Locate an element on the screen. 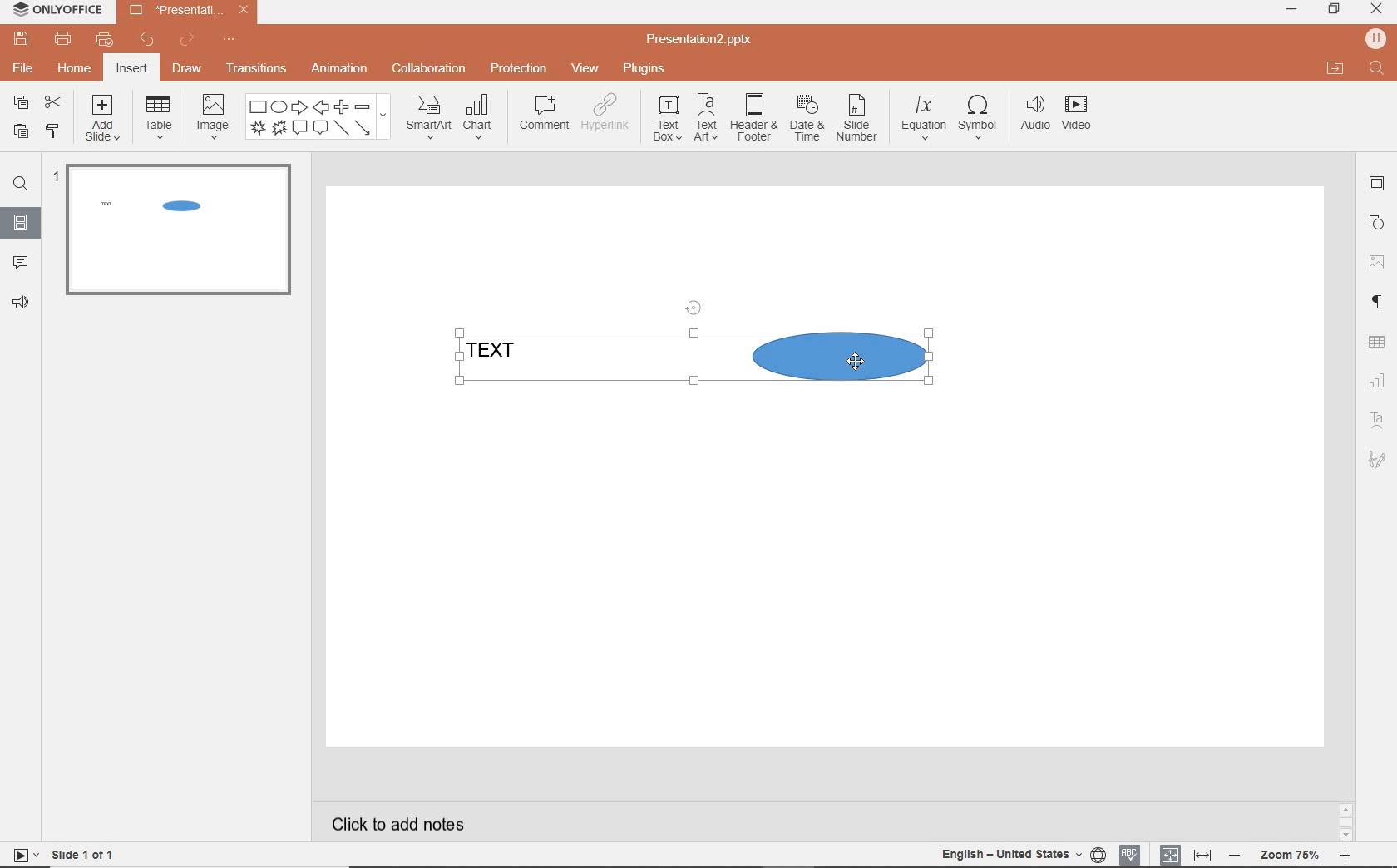 The image size is (1397, 868). add slide is located at coordinates (103, 121).